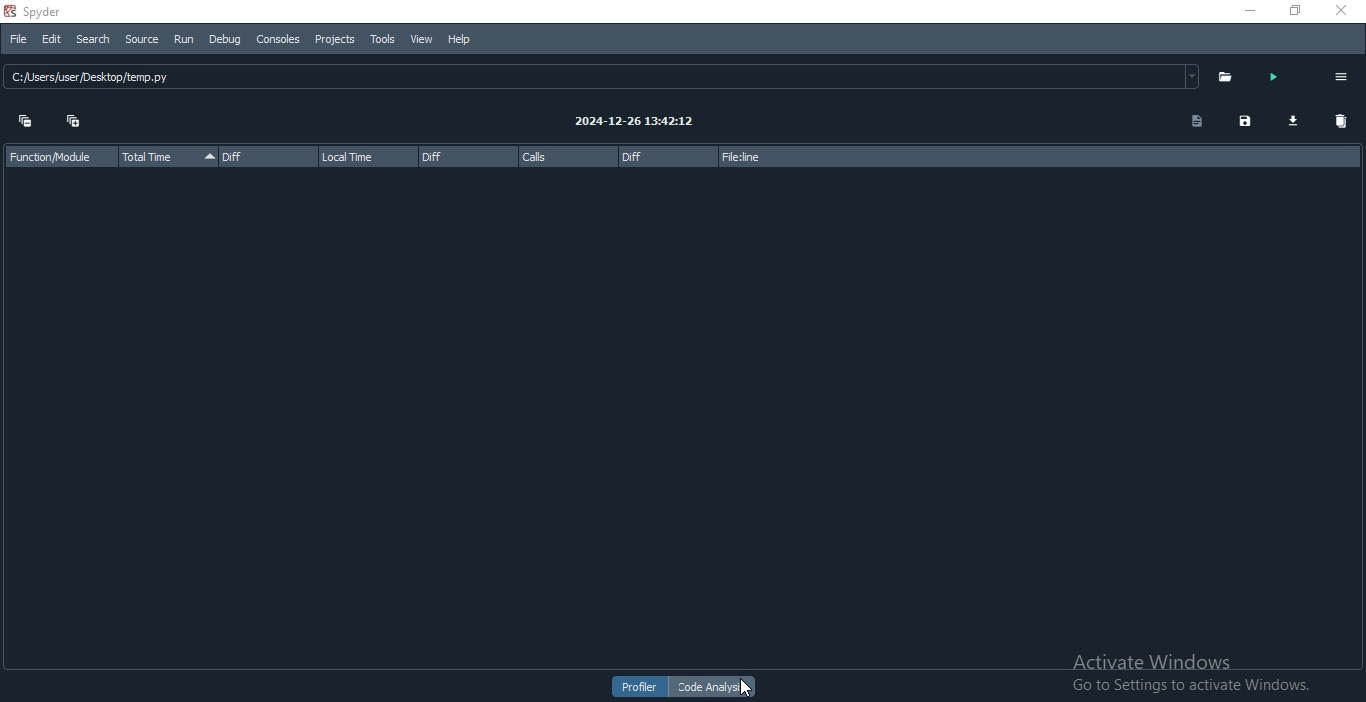 The image size is (1366, 702). What do you see at coordinates (1349, 14) in the screenshot?
I see `close` at bounding box center [1349, 14].